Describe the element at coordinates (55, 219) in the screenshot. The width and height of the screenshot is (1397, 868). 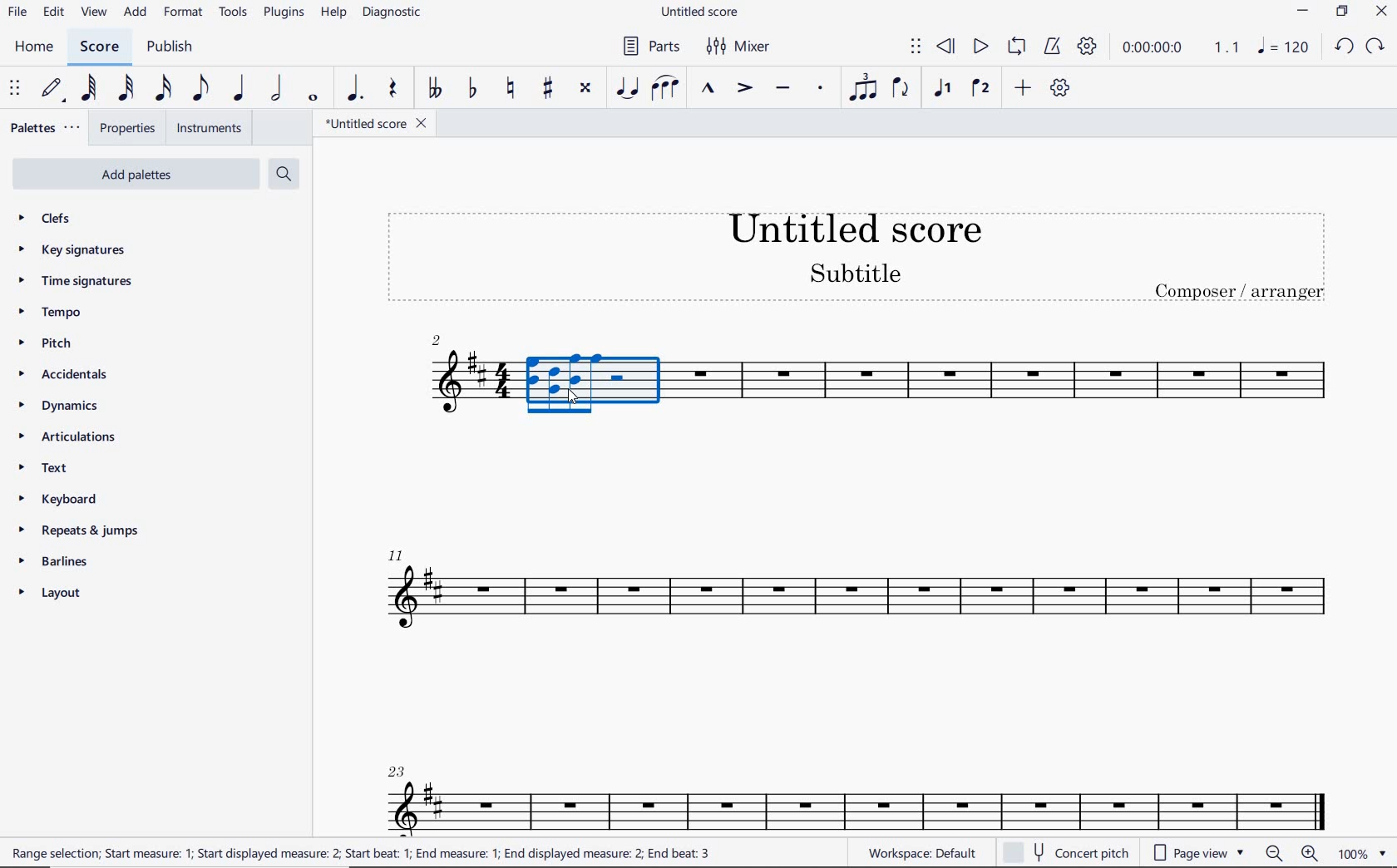
I see `CLEFS` at that location.